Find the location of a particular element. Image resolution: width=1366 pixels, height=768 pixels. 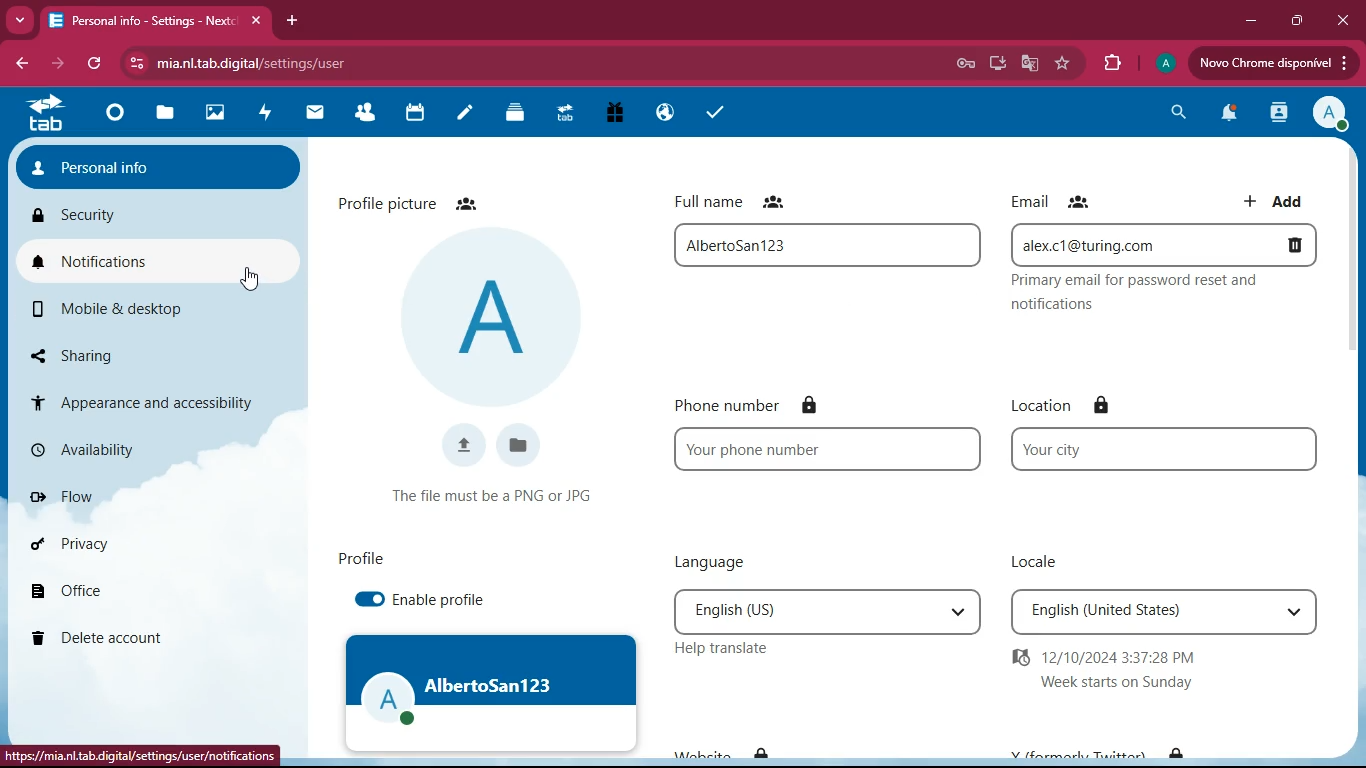

activity is located at coordinates (1278, 112).